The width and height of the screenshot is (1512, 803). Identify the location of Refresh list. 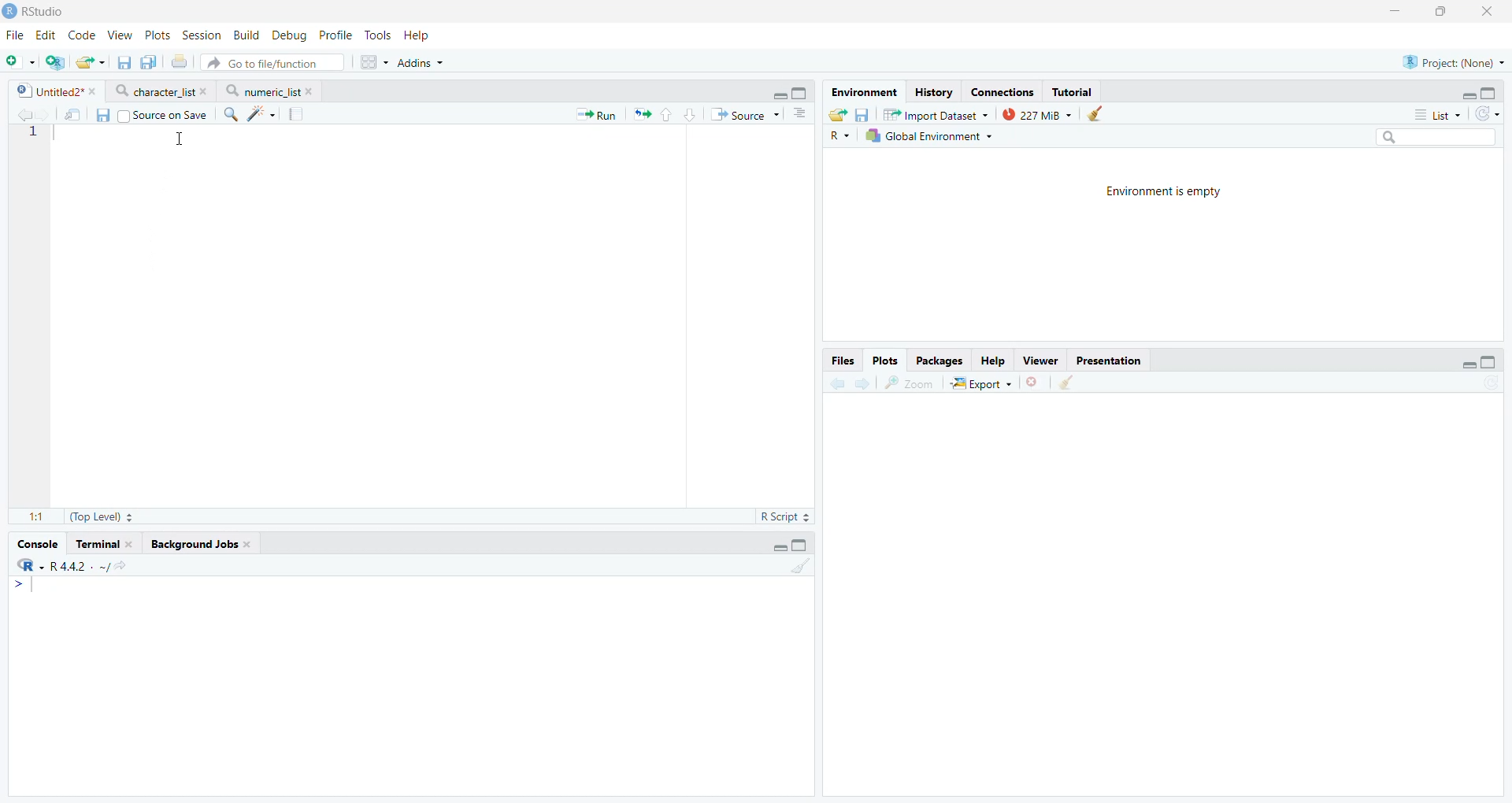
(1489, 383).